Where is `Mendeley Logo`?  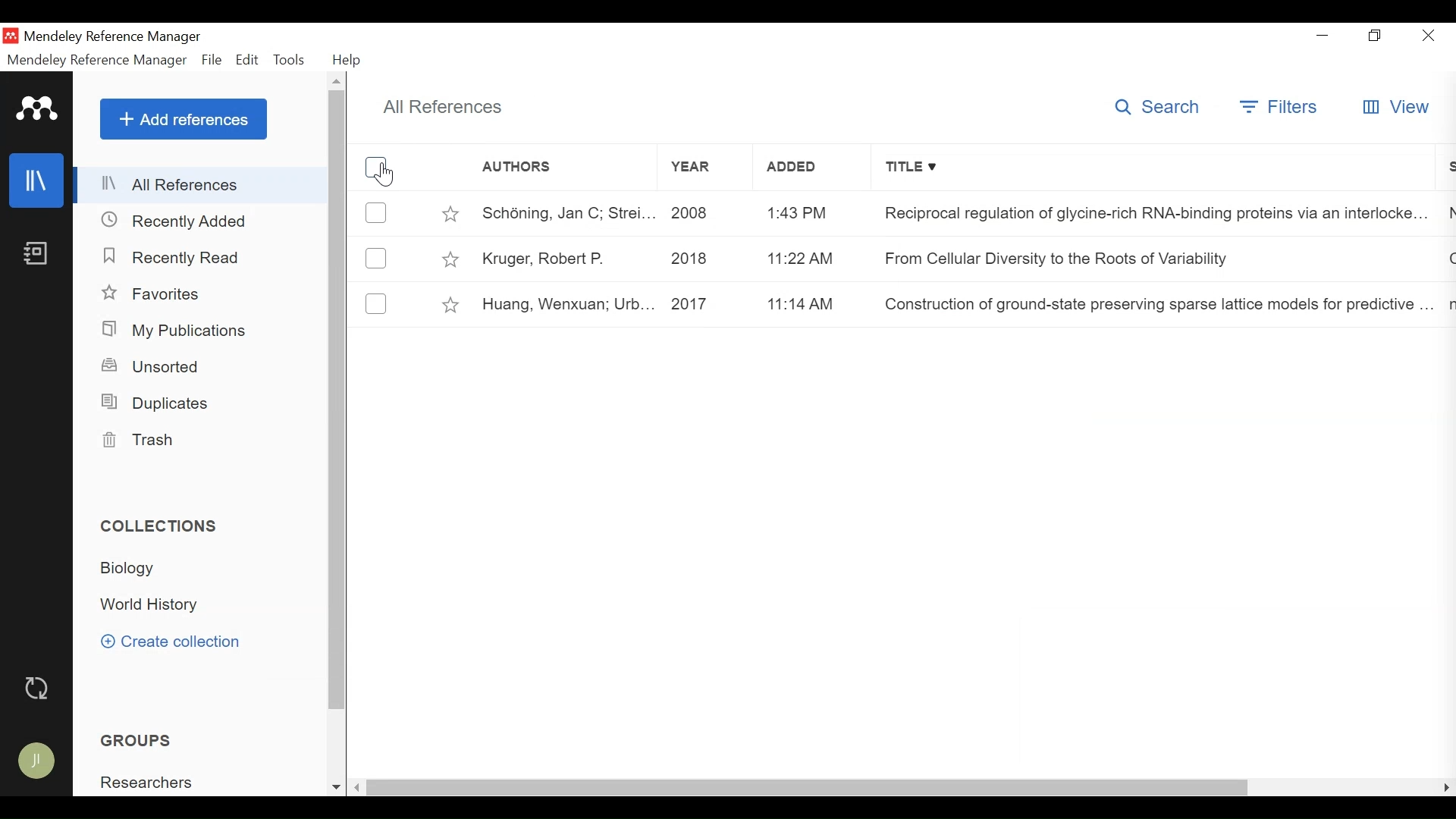
Mendeley Logo is located at coordinates (37, 111).